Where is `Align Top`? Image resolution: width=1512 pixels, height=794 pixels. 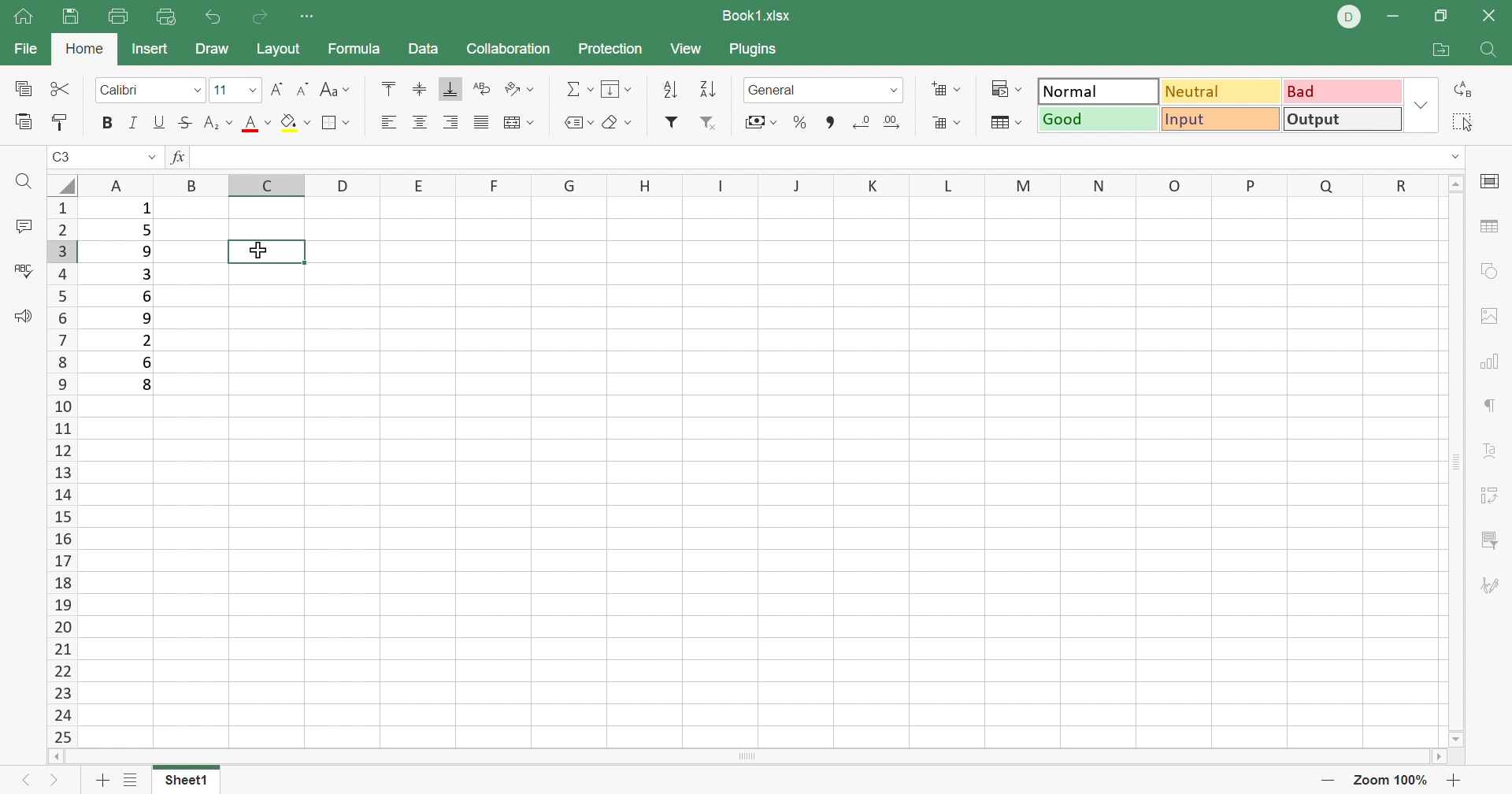
Align Top is located at coordinates (389, 92).